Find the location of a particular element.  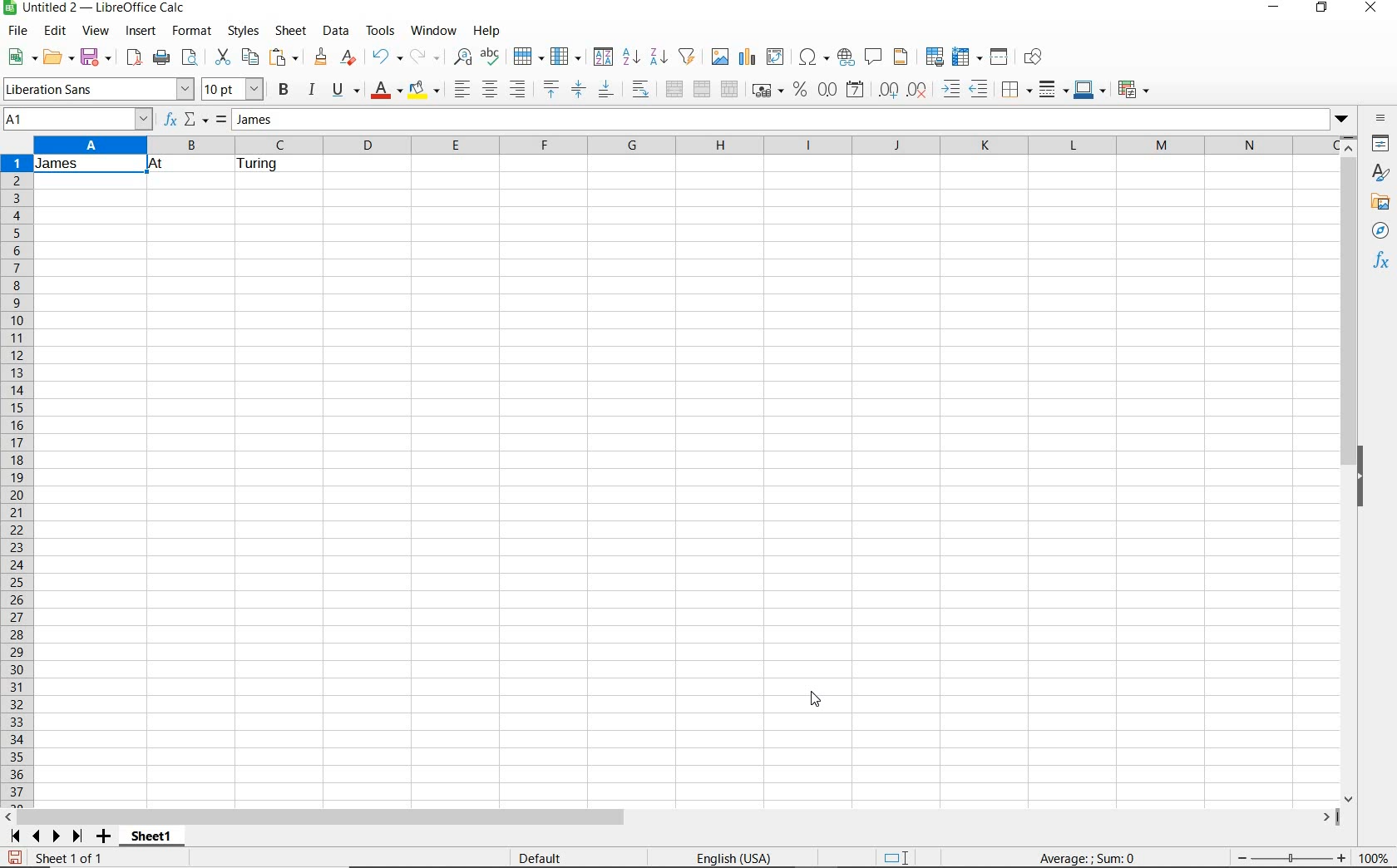

clear direct formatting is located at coordinates (349, 58).